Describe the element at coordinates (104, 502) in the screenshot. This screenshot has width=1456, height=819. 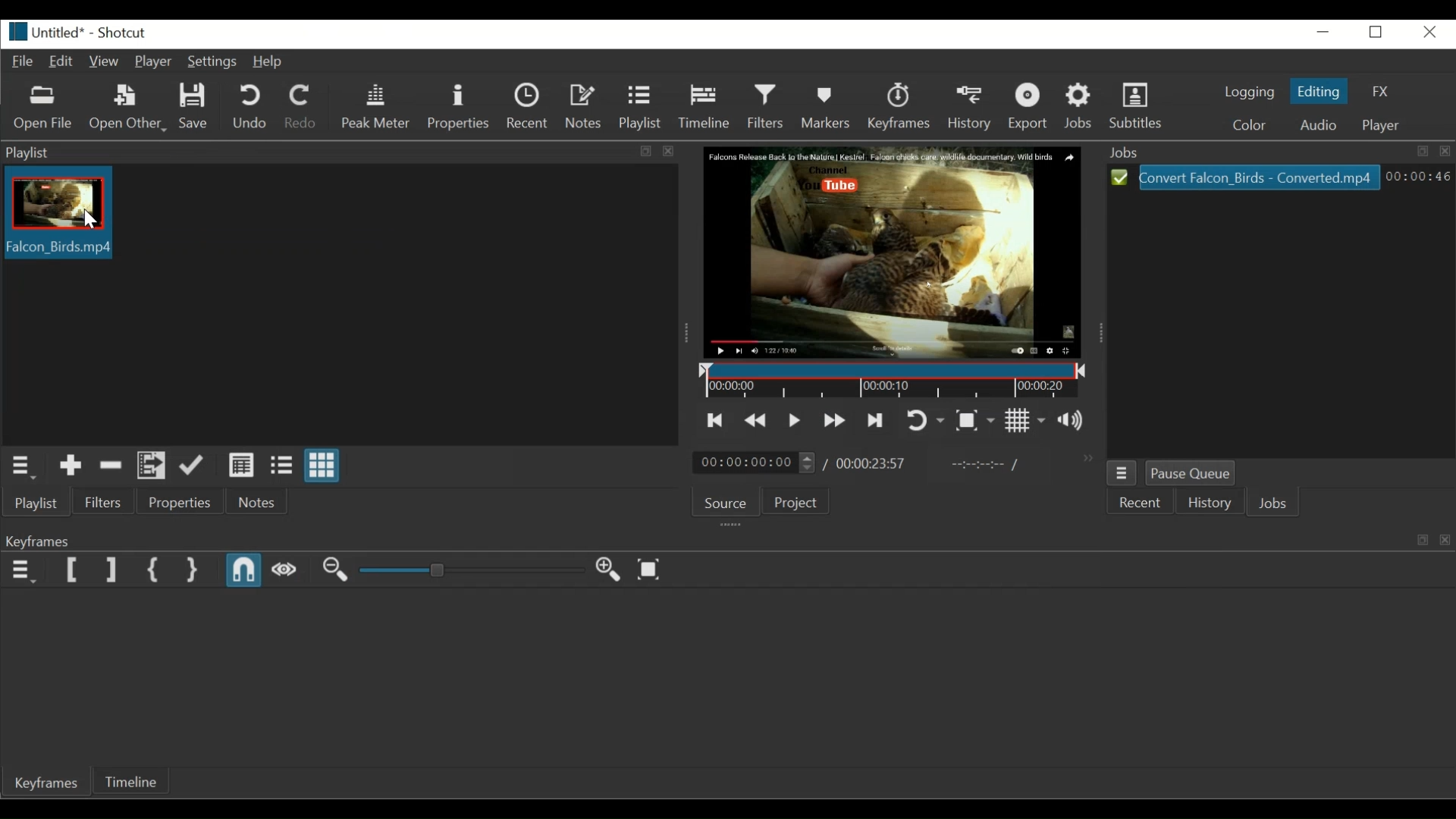
I see `Filters` at that location.